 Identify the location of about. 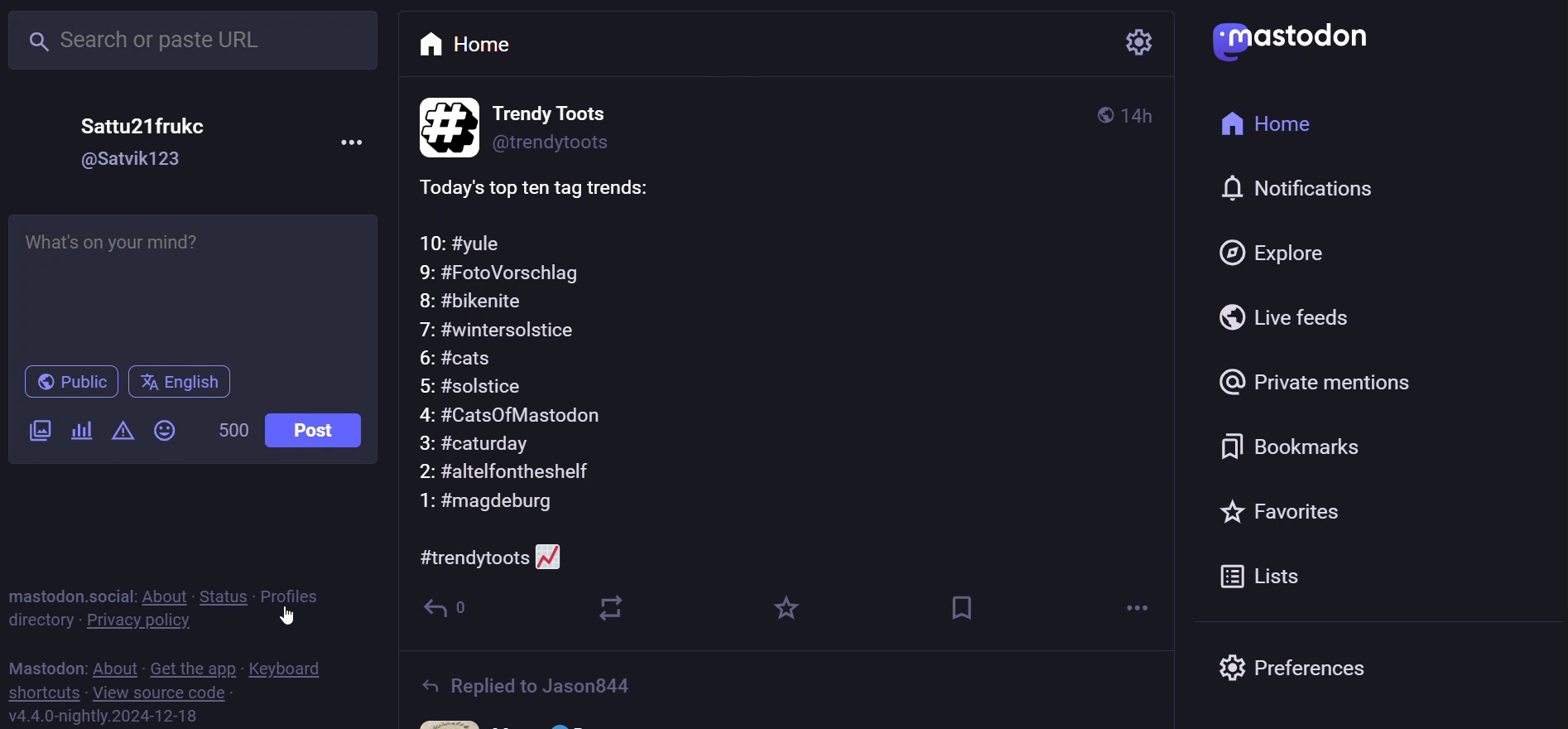
(160, 596).